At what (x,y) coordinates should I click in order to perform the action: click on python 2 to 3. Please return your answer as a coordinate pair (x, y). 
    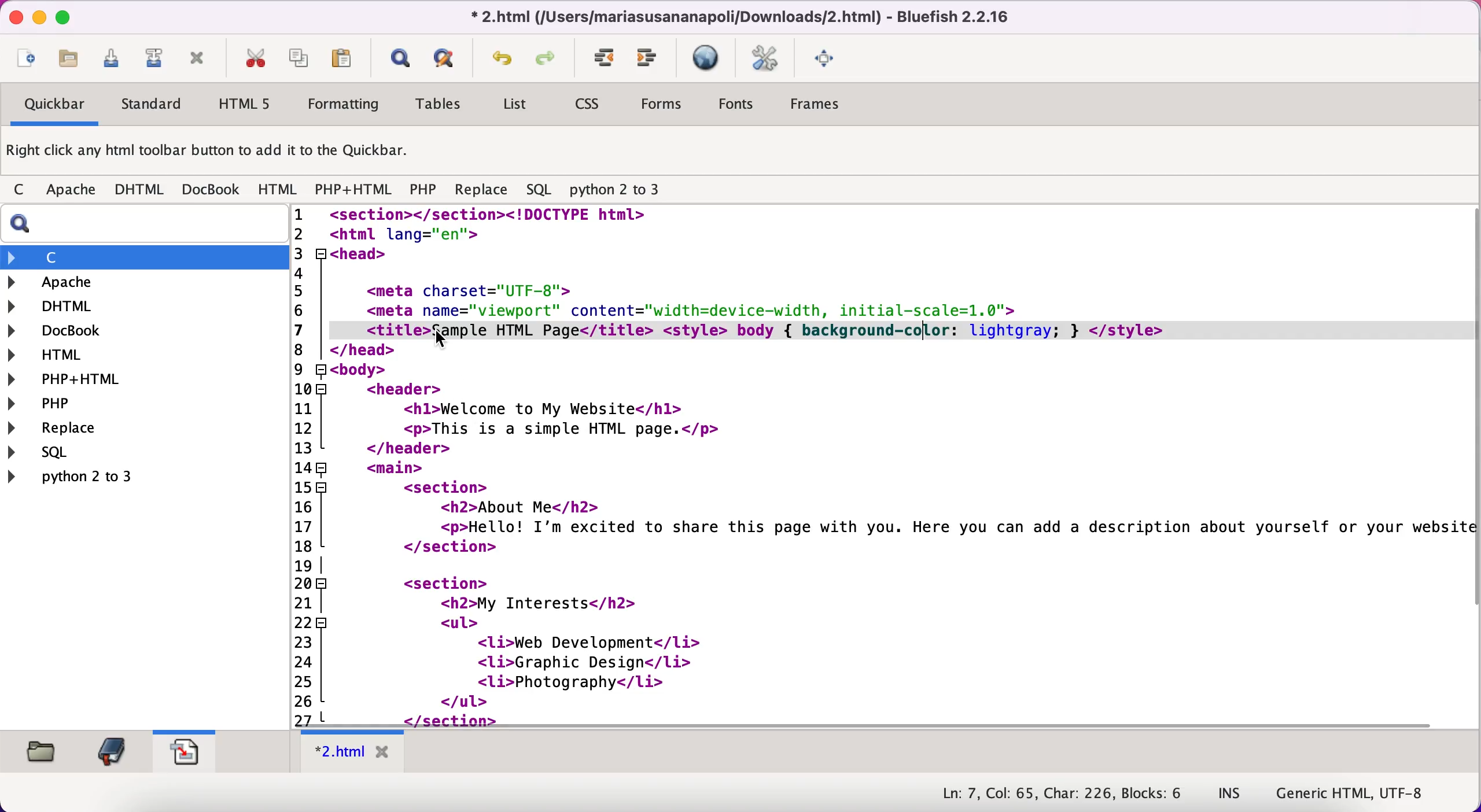
    Looking at the image, I should click on (84, 476).